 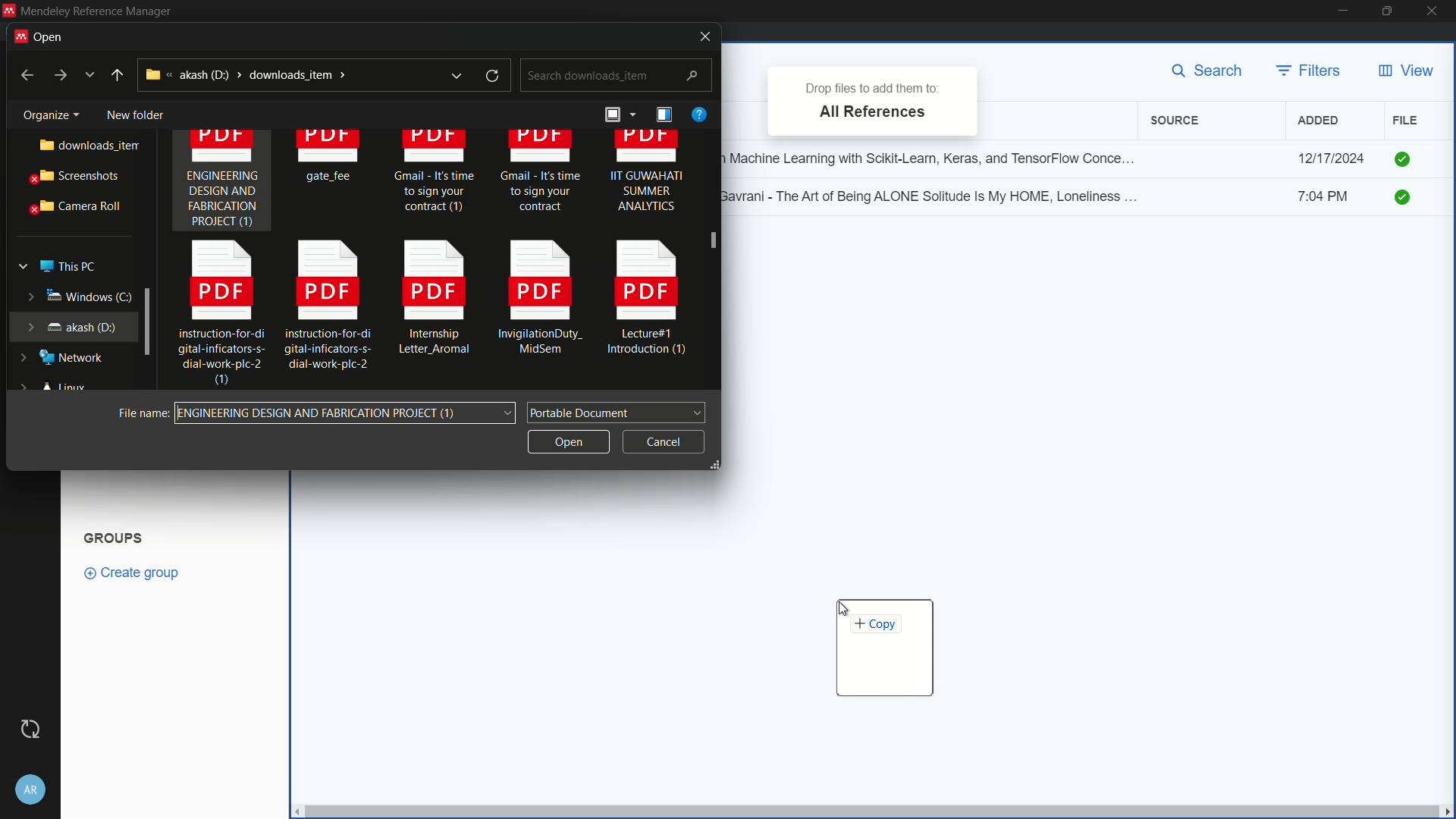 I want to click on Groups, so click(x=116, y=536).